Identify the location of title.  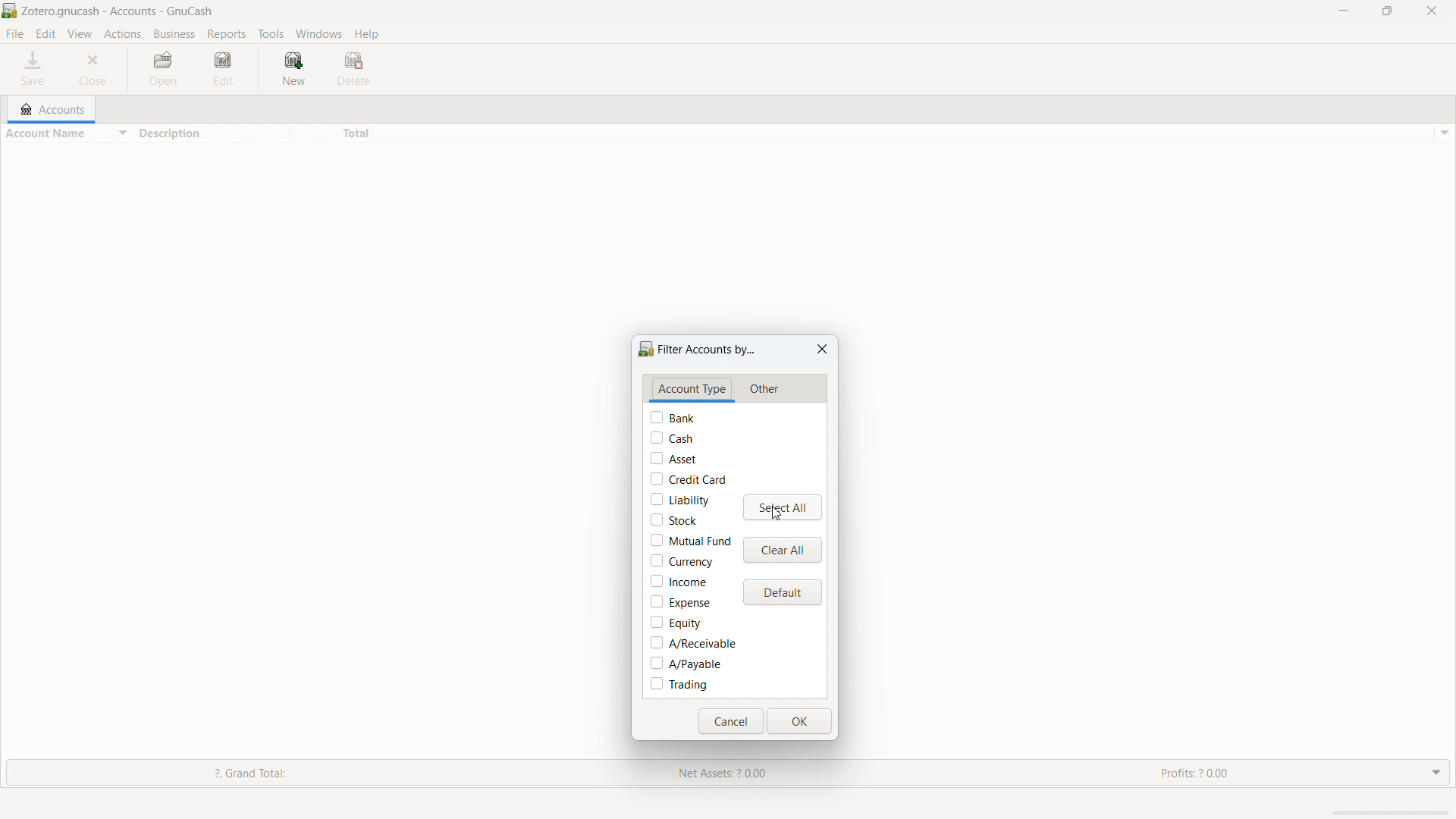
(118, 11).